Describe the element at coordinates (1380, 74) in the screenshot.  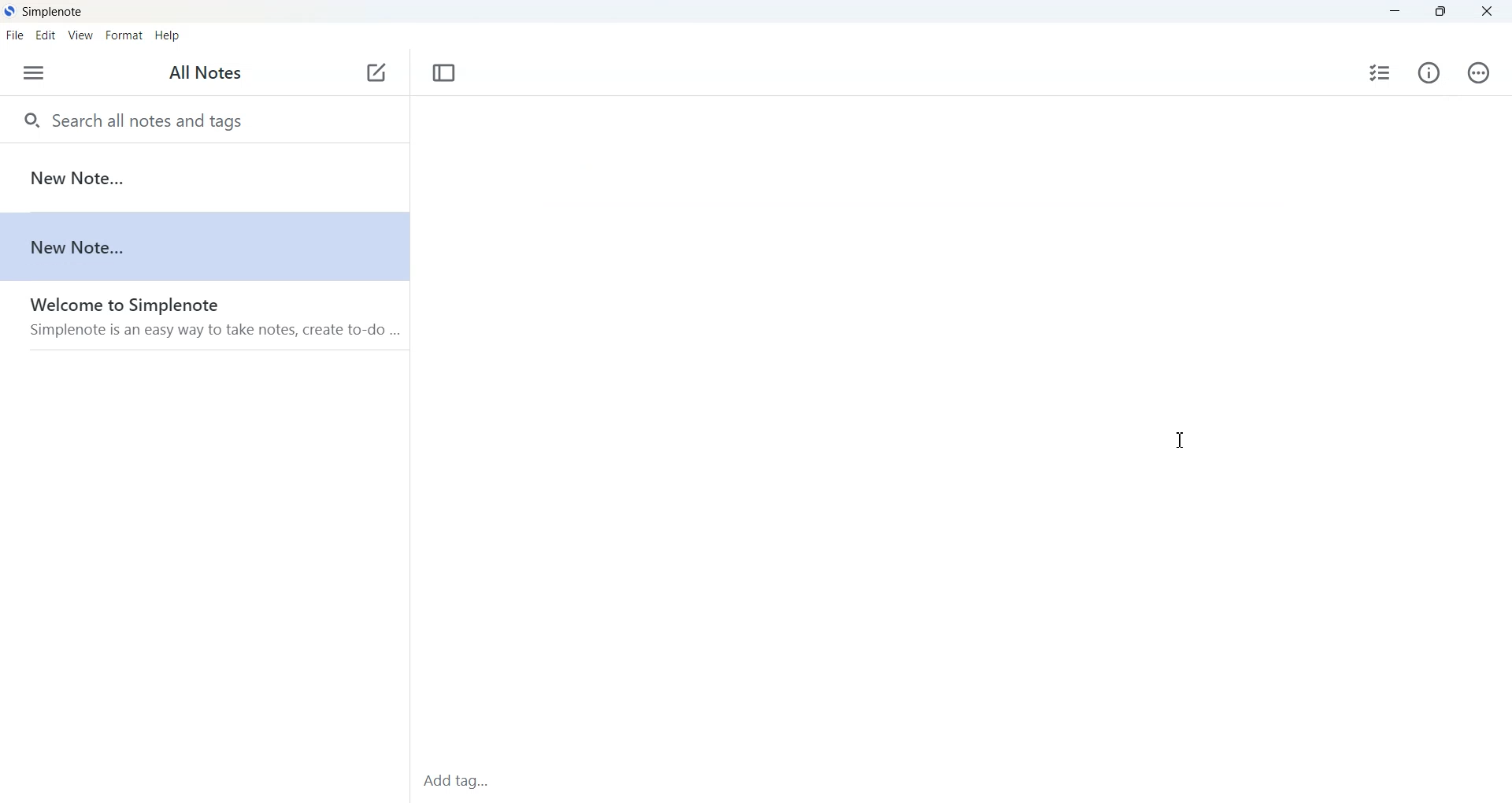
I see `Insert Checklist` at that location.